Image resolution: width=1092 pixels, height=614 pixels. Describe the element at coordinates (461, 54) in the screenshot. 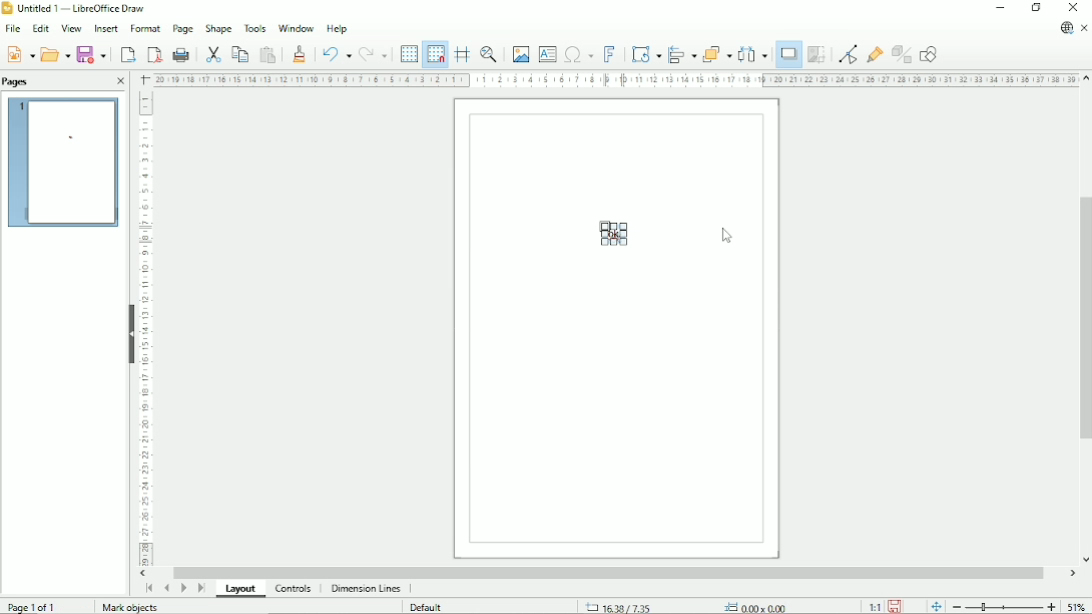

I see `Helplines while moving` at that location.